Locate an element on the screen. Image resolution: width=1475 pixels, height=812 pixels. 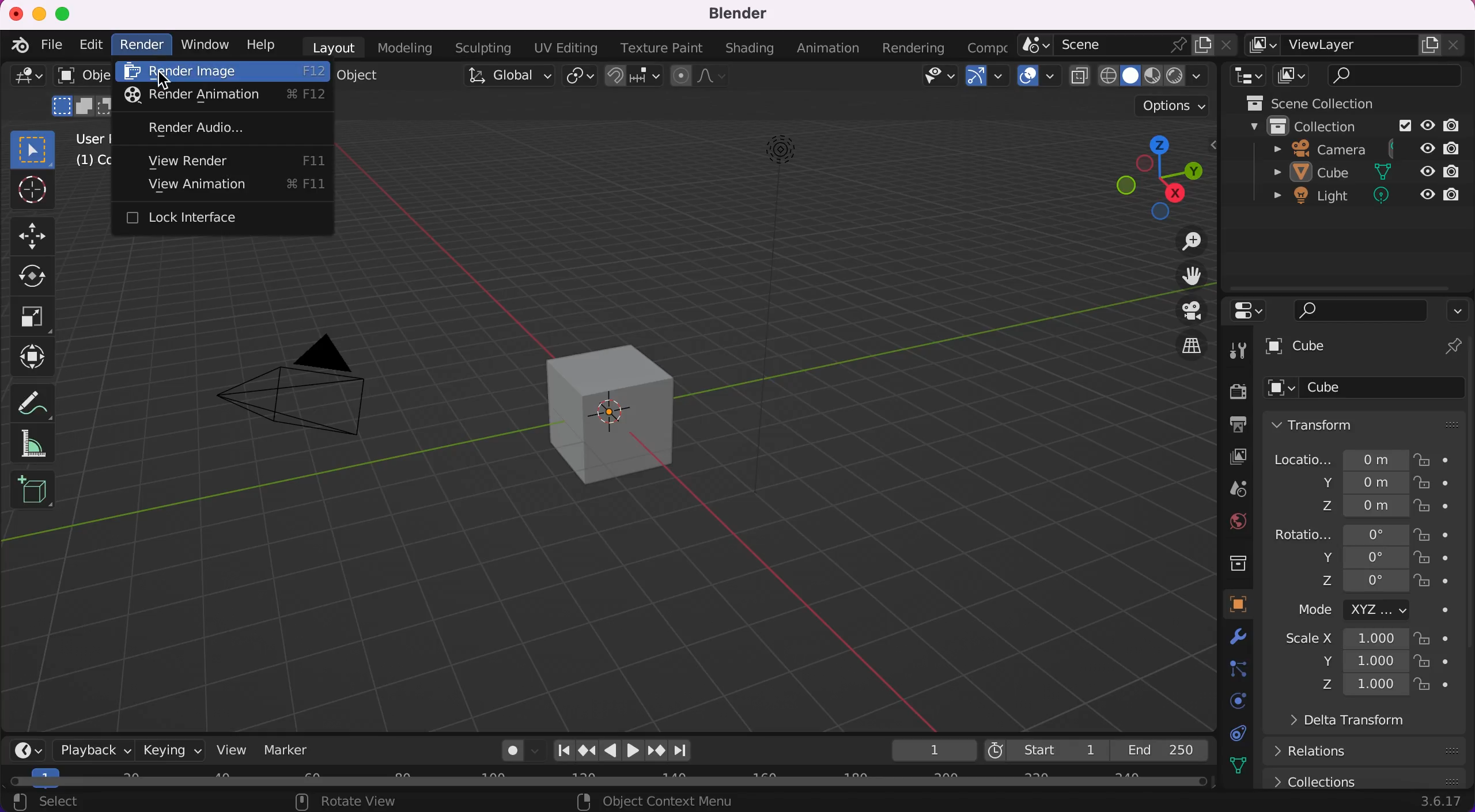
Play animation is located at coordinates (611, 750).